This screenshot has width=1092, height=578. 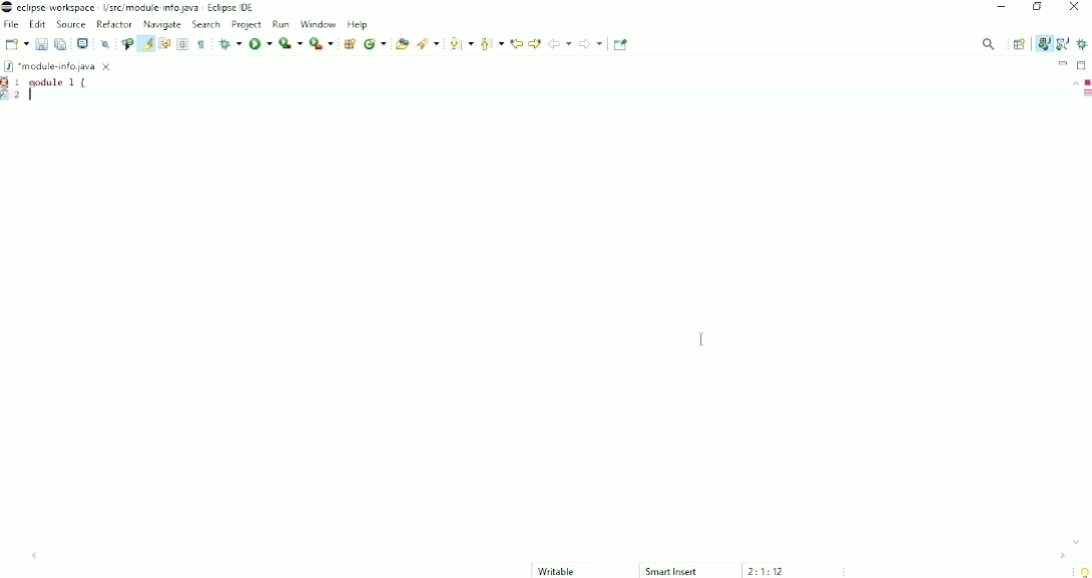 I want to click on Access commands and other items, so click(x=989, y=43).